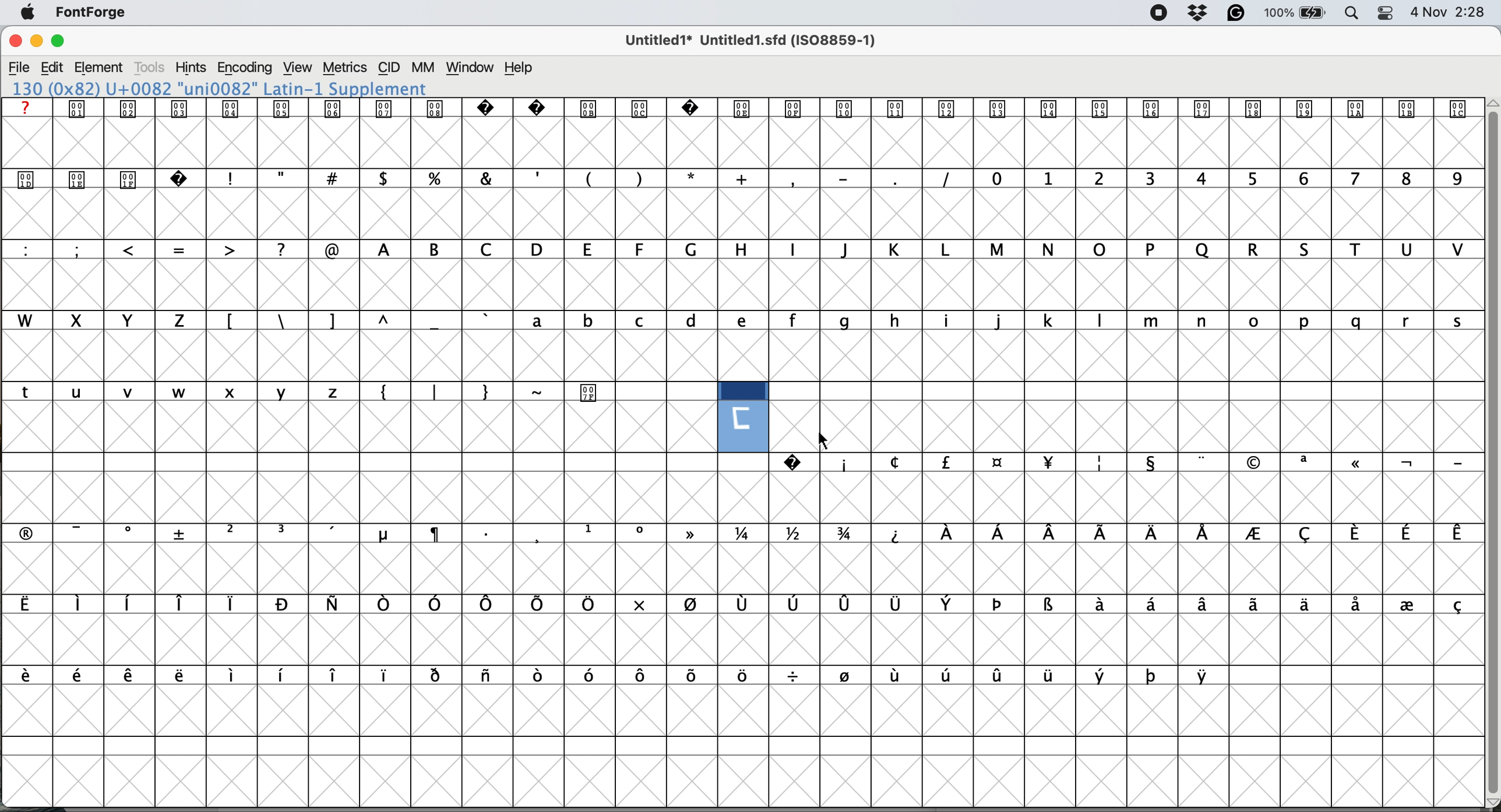  I want to click on Glyph Slots, so click(609, 675).